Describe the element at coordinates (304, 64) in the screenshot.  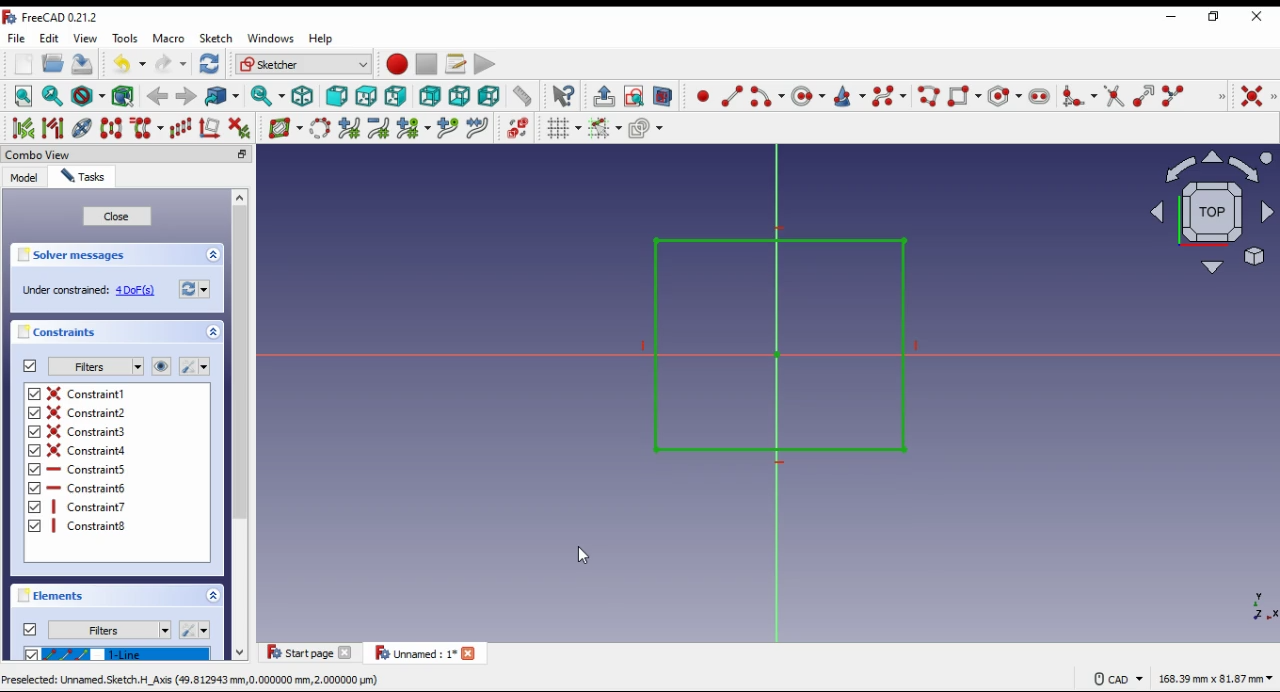
I see `workbench selection` at that location.